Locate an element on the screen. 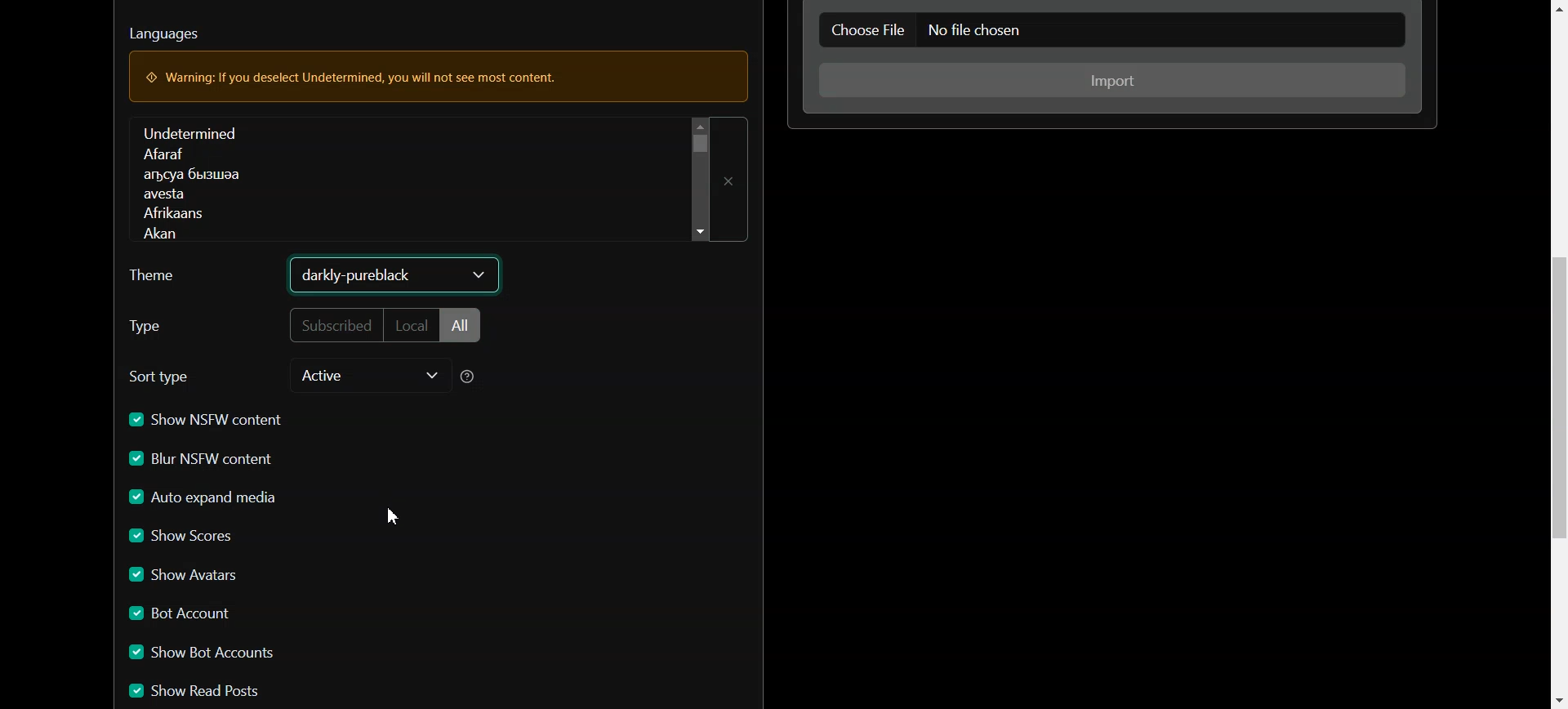 This screenshot has height=709, width=1568. Browser Default is located at coordinates (394, 274).